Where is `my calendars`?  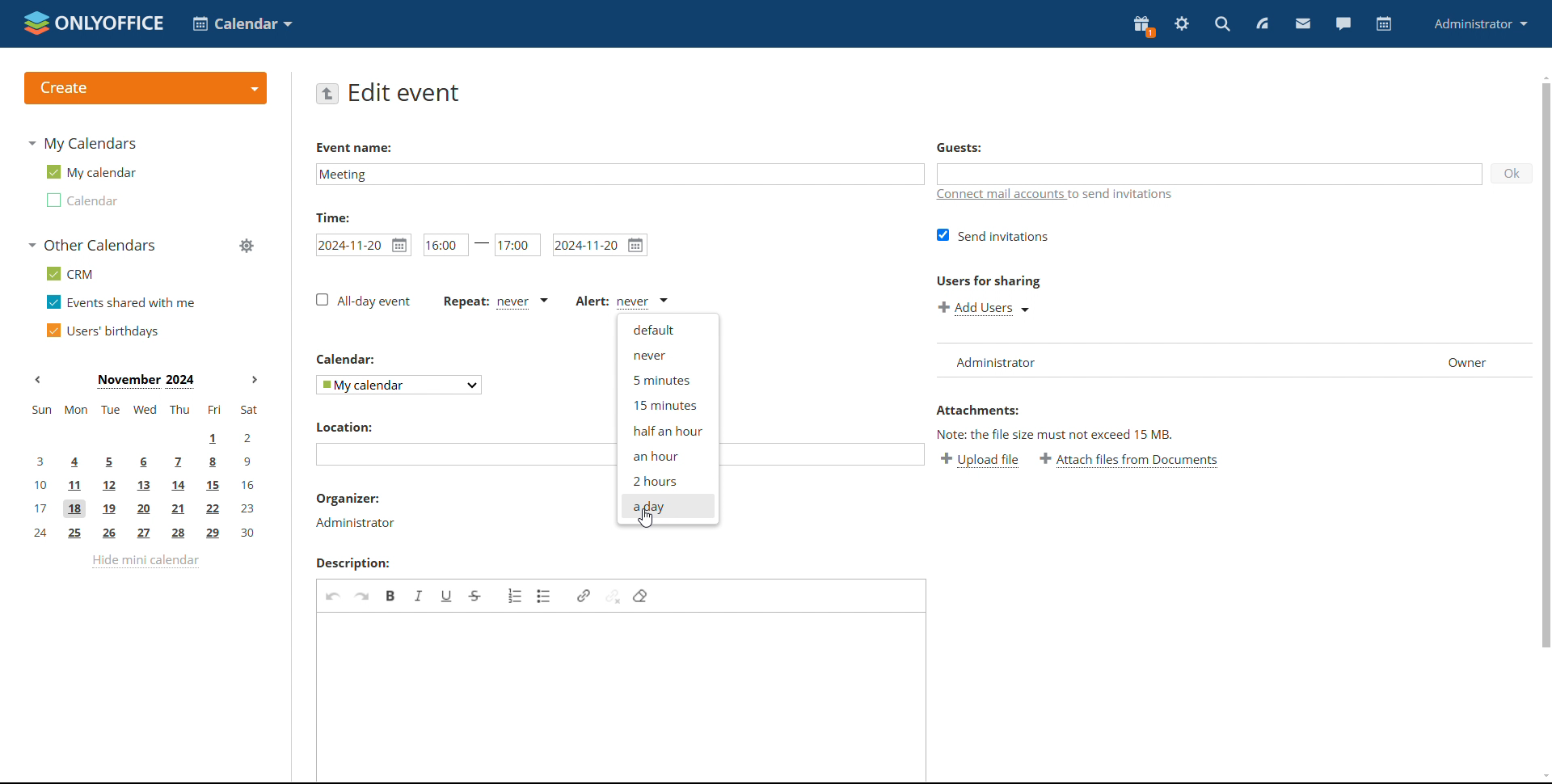 my calendars is located at coordinates (82, 143).